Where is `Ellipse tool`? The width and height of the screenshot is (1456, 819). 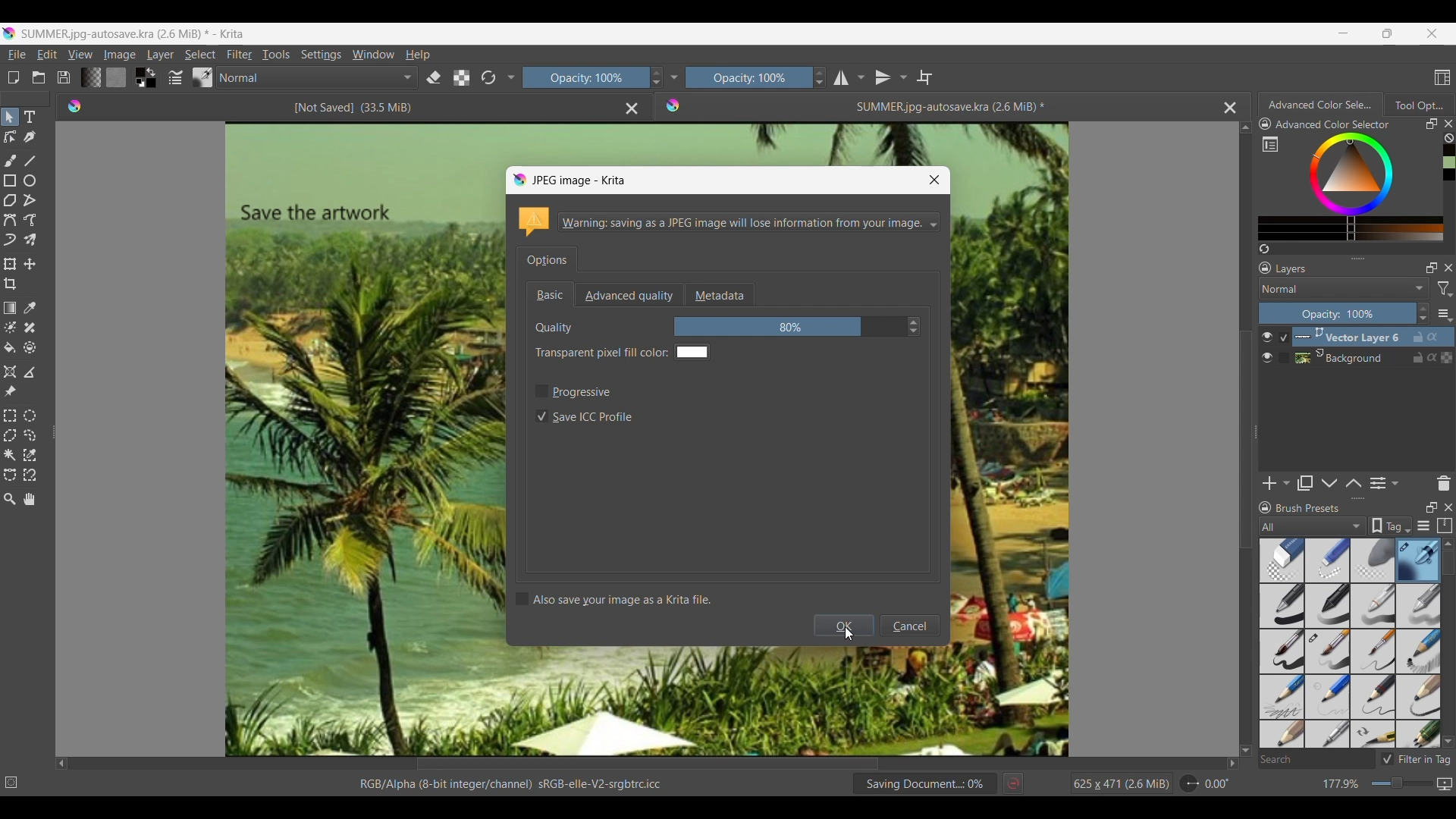 Ellipse tool is located at coordinates (30, 180).